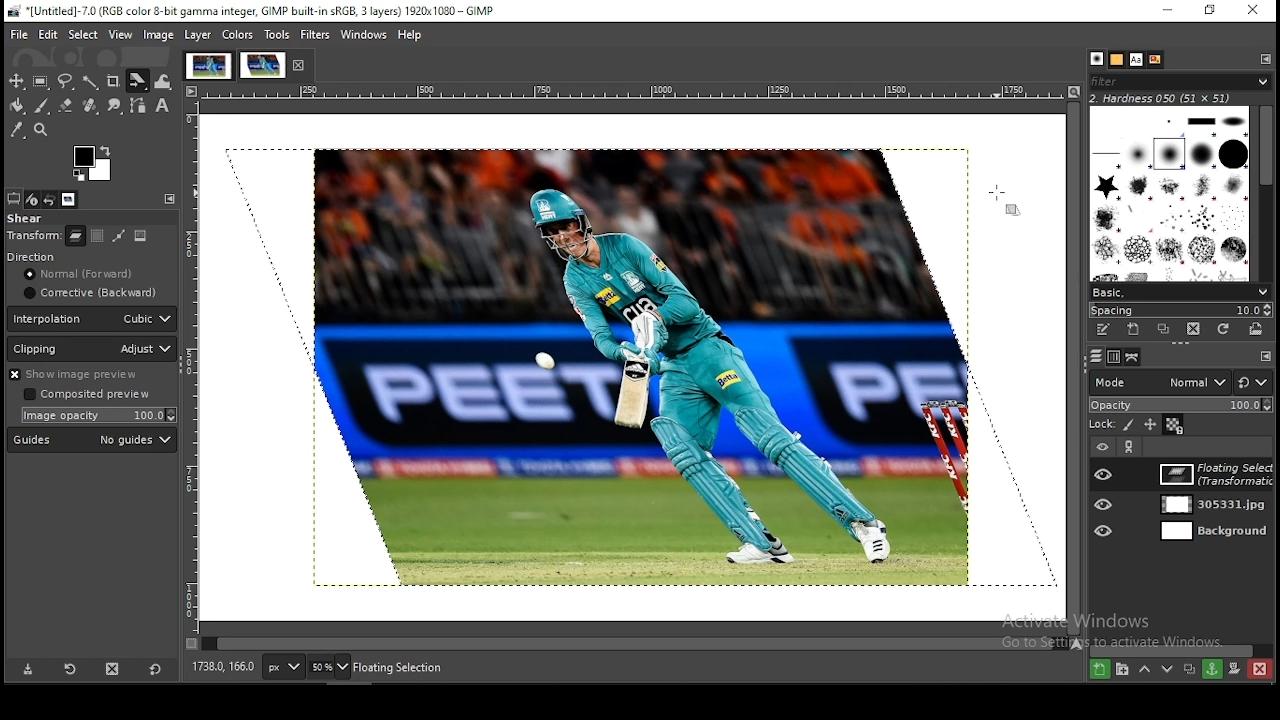 This screenshot has height=720, width=1280. I want to click on guide, so click(91, 440).